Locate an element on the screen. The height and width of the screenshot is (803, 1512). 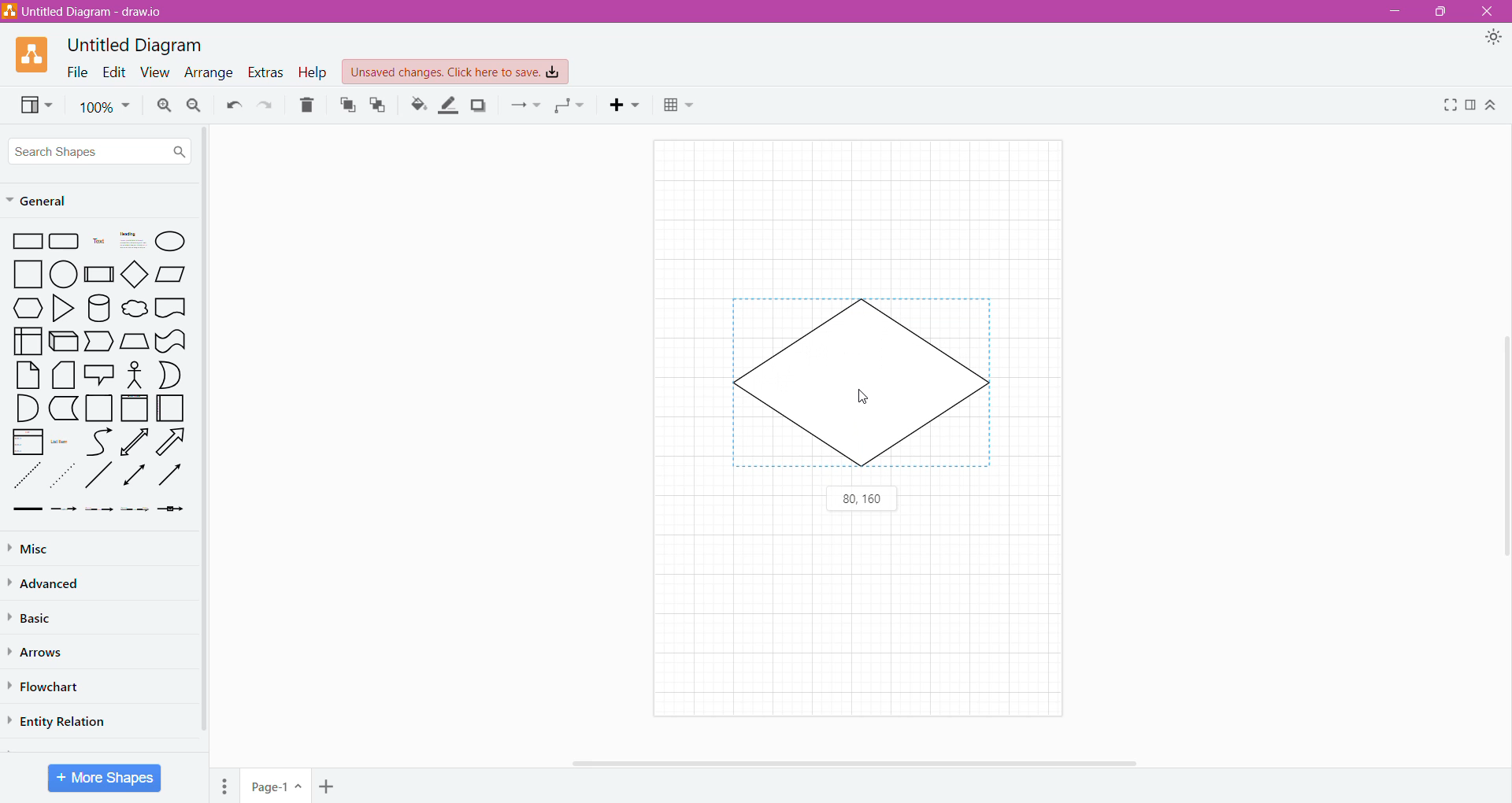
Restore Down is located at coordinates (1443, 12).